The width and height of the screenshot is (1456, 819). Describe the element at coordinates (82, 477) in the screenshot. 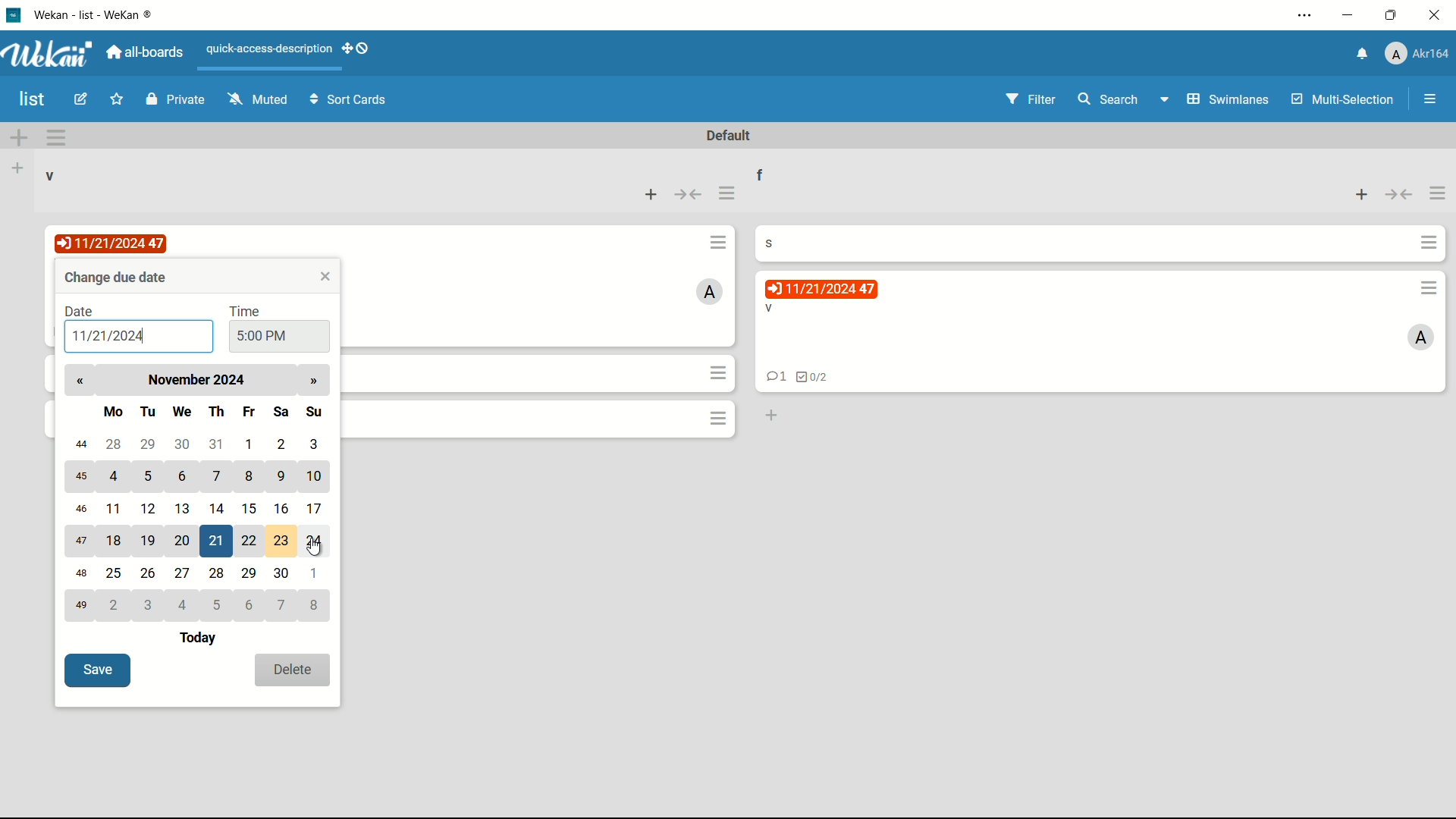

I see `45` at that location.